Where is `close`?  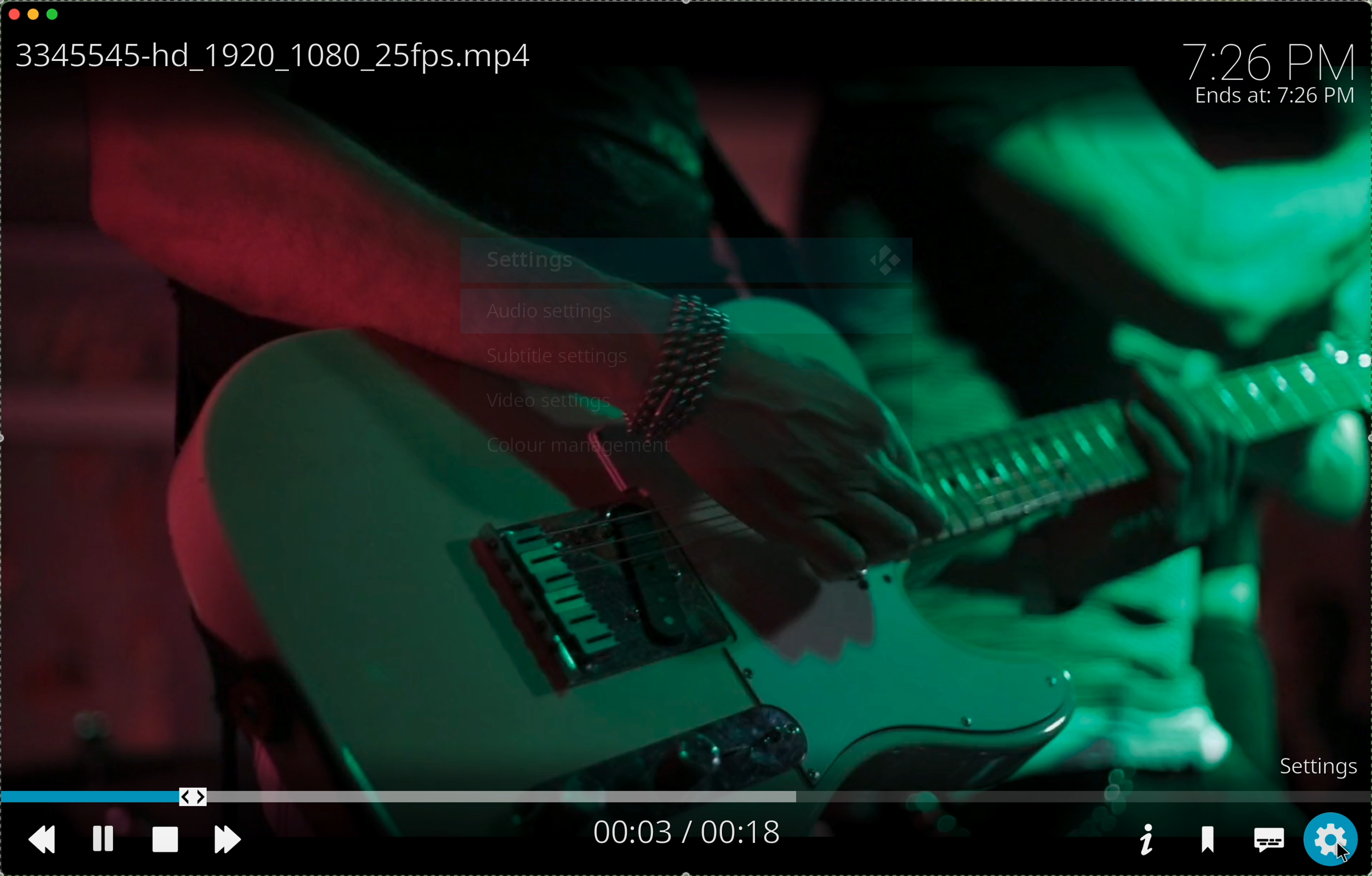
close is located at coordinates (14, 12).